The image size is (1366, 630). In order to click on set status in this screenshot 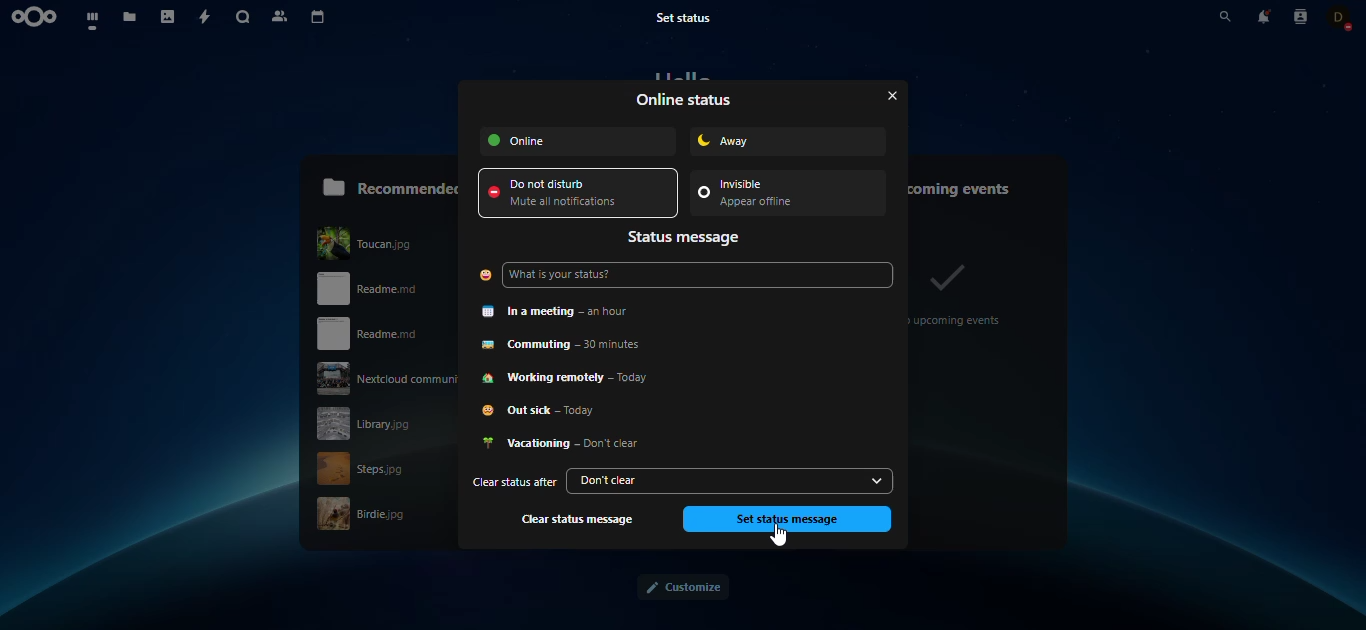, I will do `click(693, 17)`.